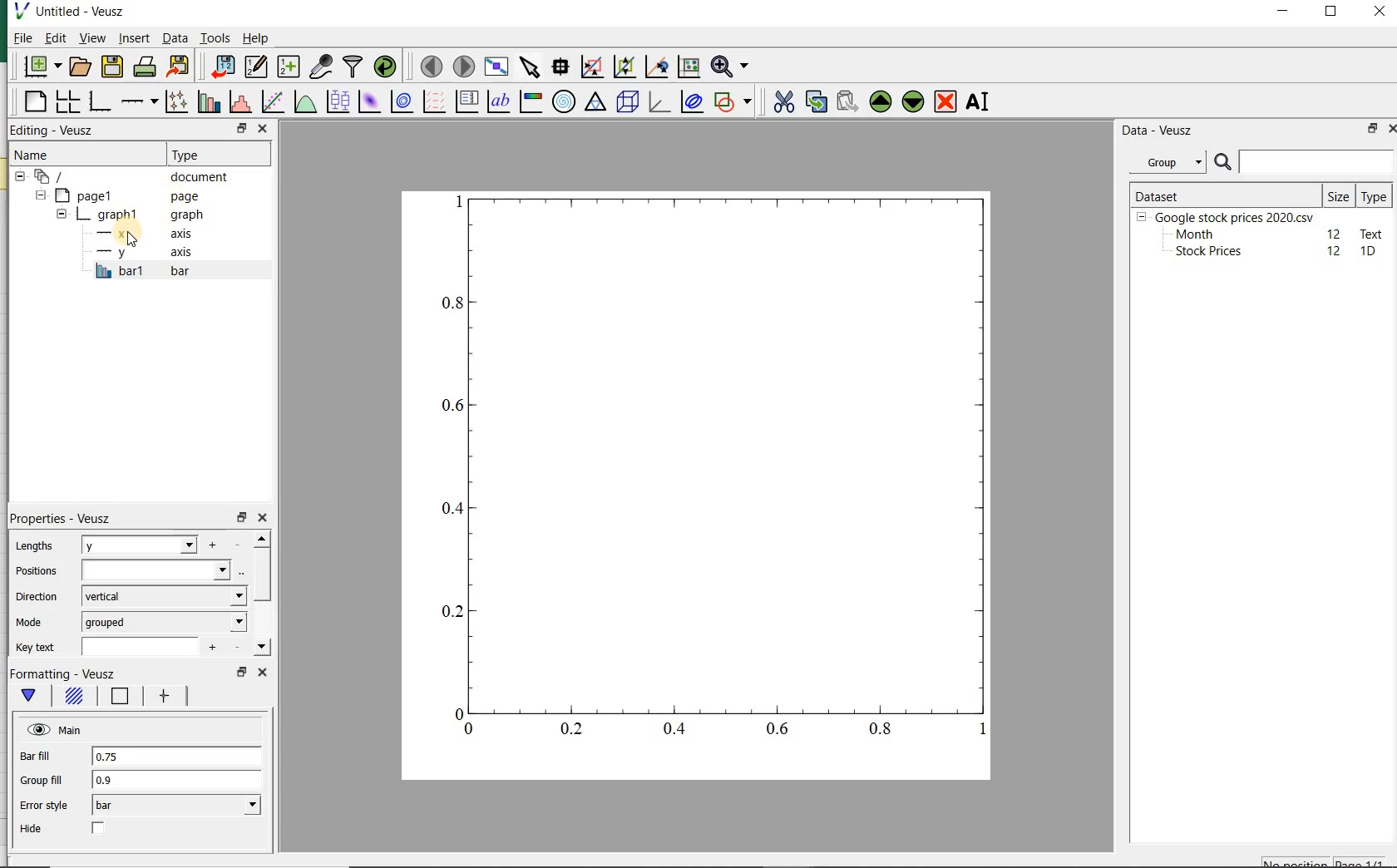 This screenshot has width=1397, height=868. I want to click on bar1, so click(138, 272).